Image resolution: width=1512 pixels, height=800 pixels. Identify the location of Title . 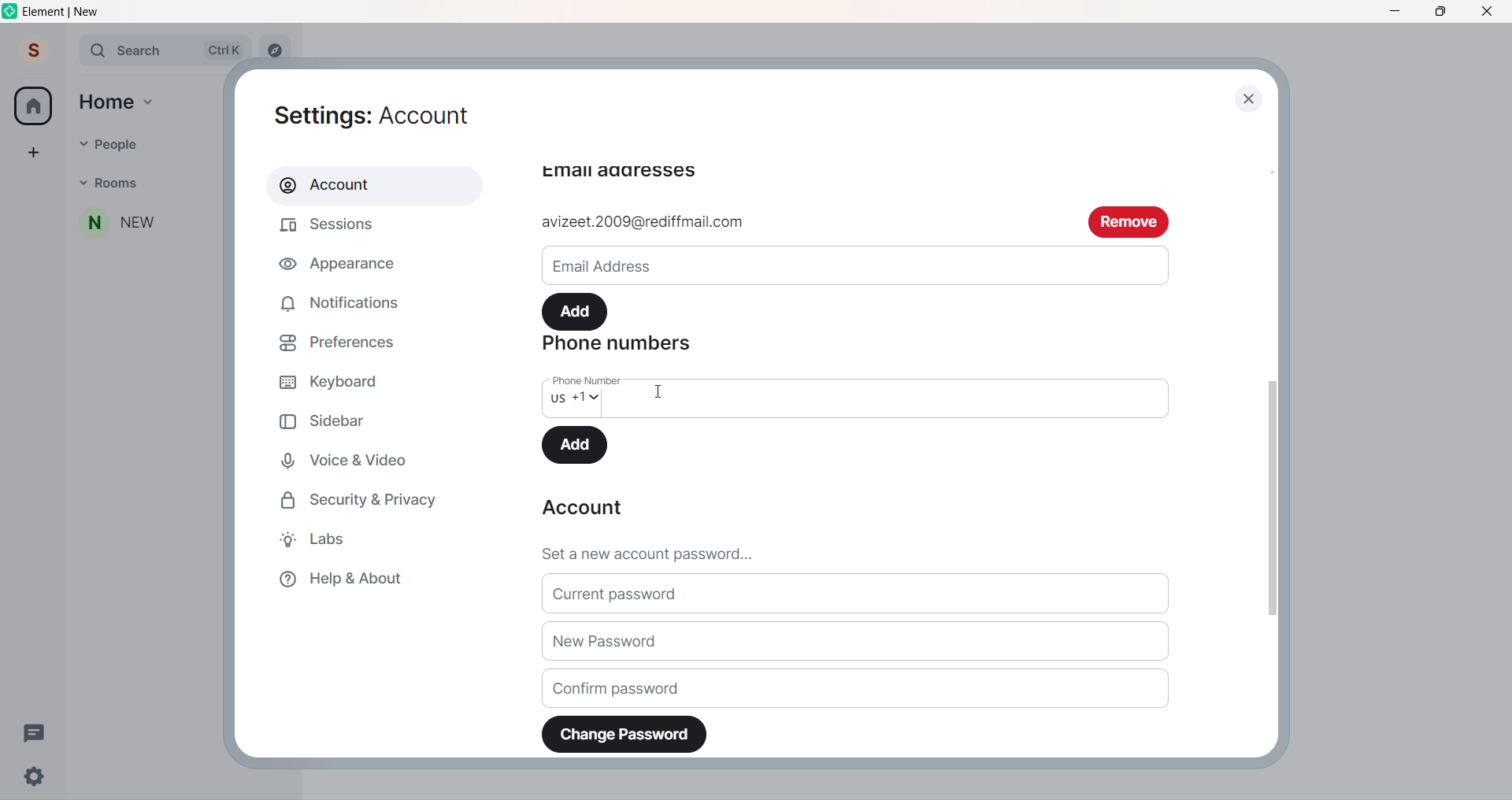
(76, 12).